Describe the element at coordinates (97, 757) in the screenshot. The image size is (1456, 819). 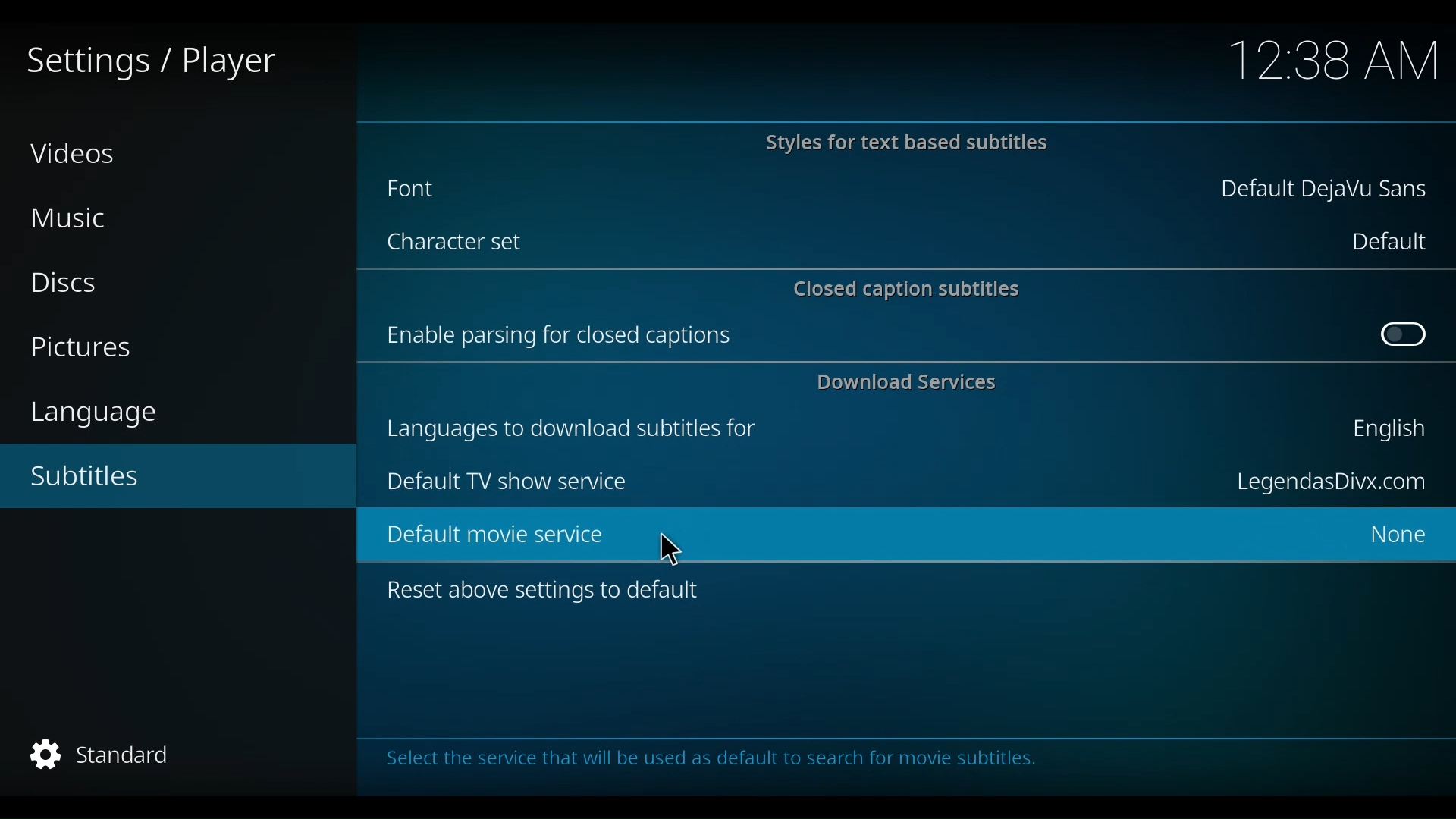
I see `Standard` at that location.